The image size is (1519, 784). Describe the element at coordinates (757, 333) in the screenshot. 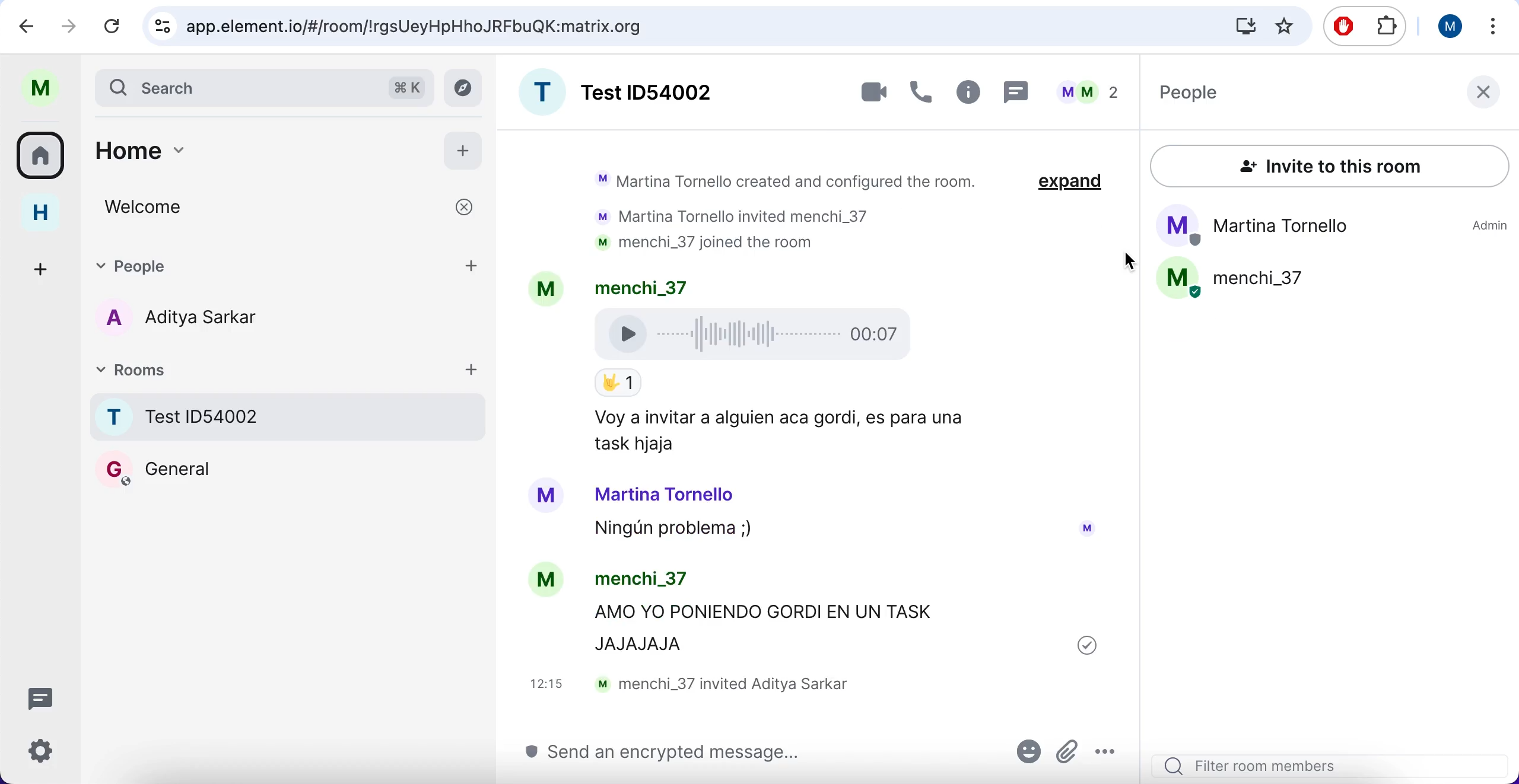

I see `Voice Recording` at that location.